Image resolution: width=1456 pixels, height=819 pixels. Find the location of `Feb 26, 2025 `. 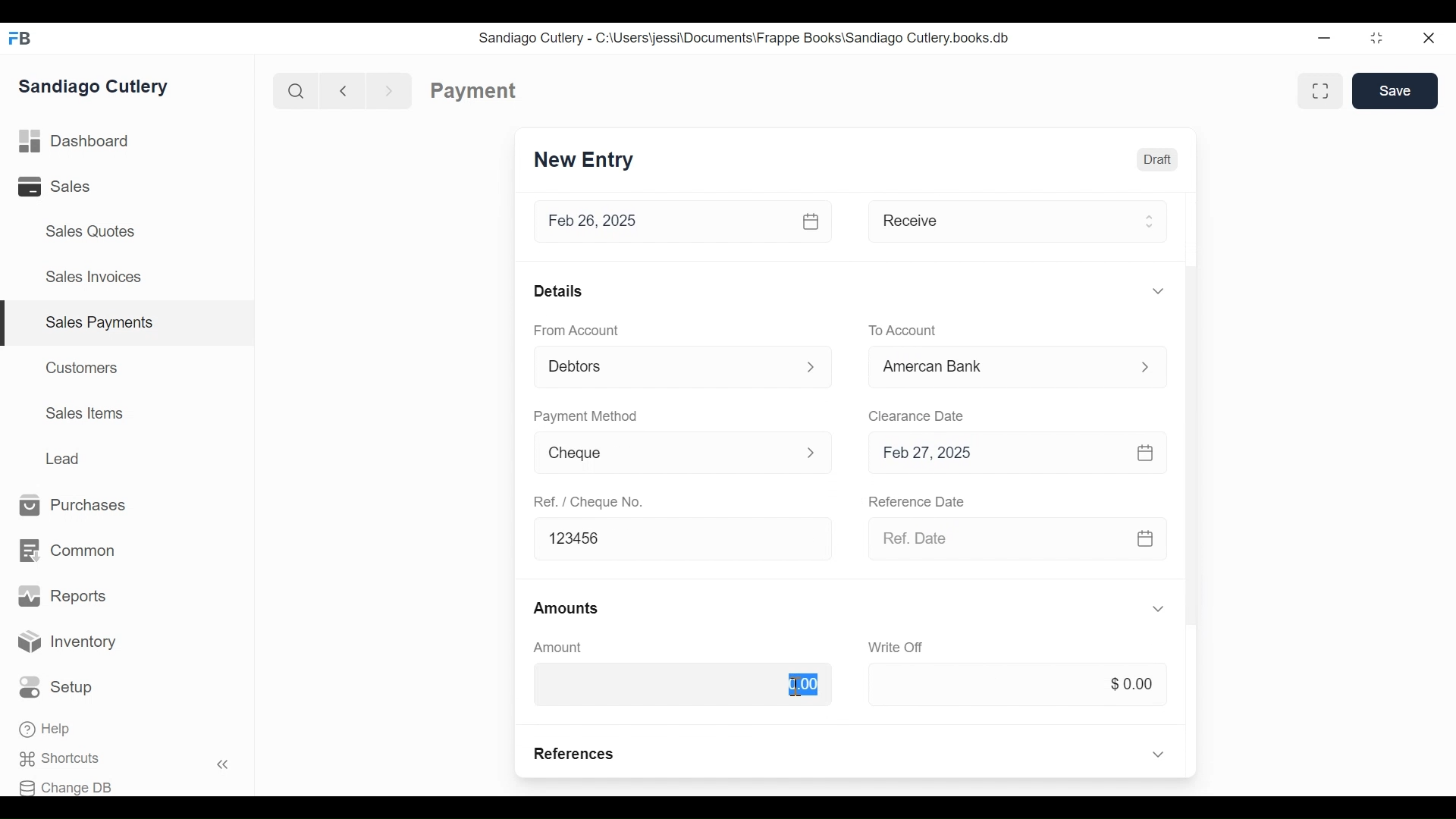

Feb 26, 2025  is located at coordinates (661, 221).